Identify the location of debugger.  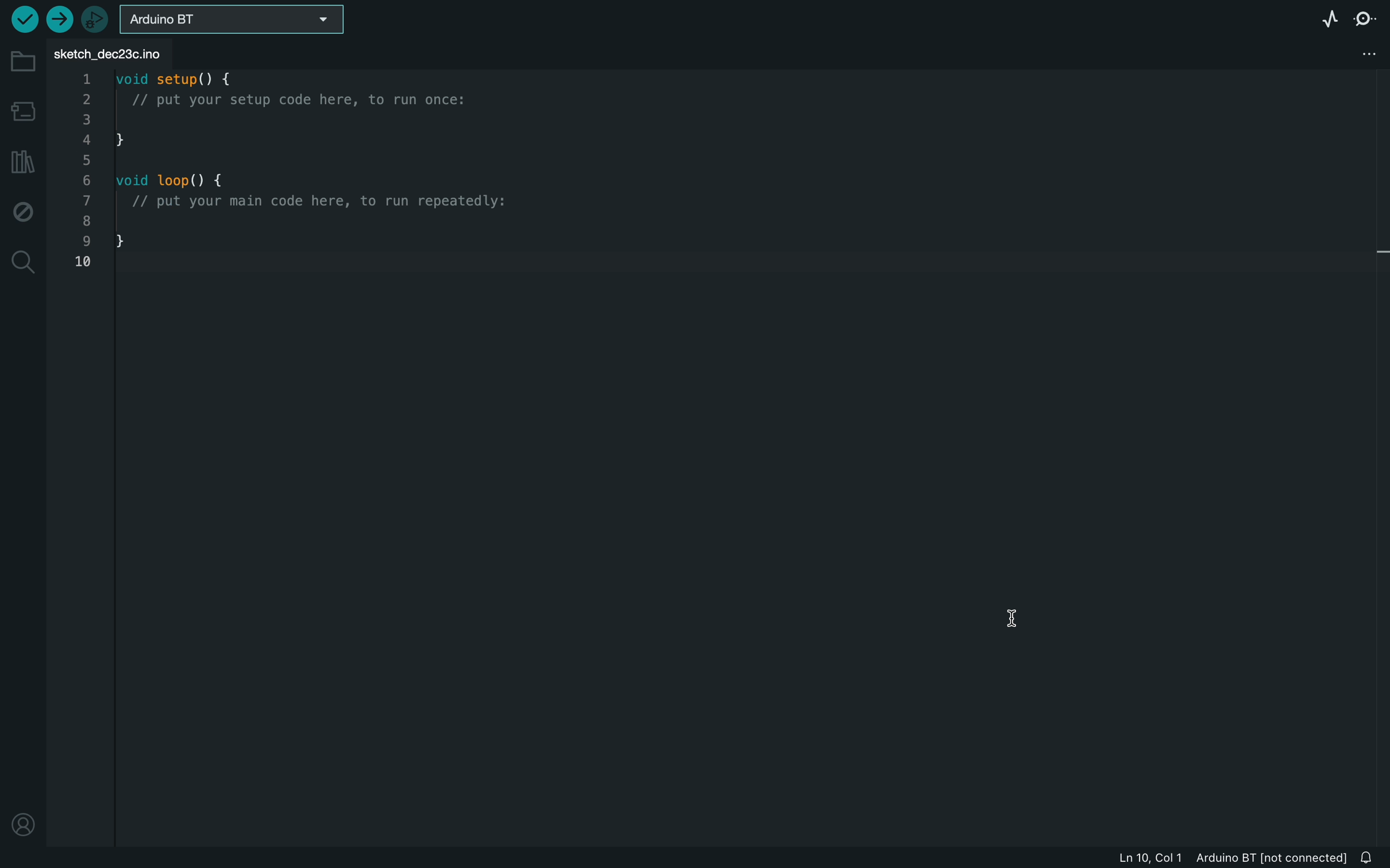
(95, 18).